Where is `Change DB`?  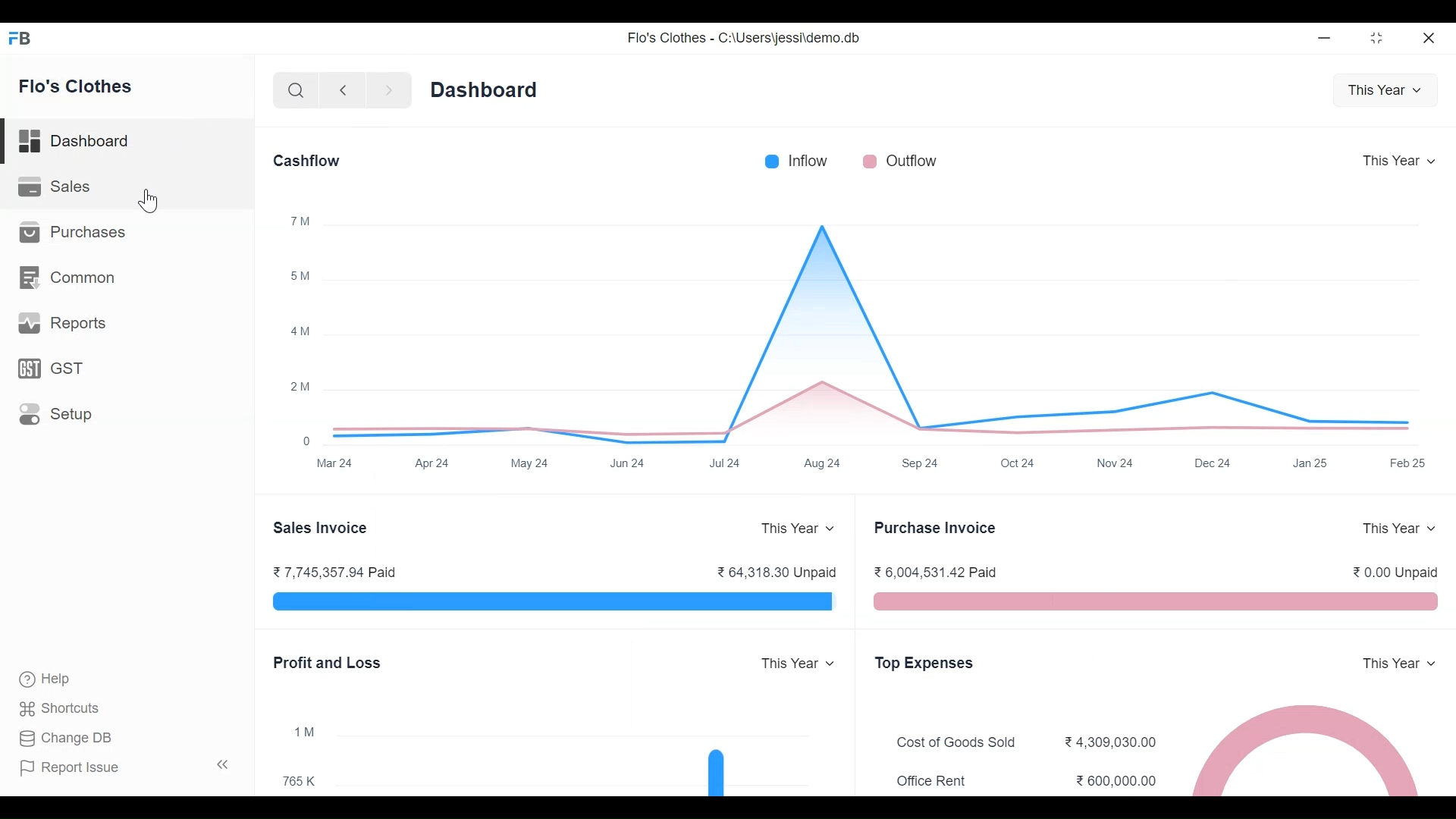 Change DB is located at coordinates (65, 738).